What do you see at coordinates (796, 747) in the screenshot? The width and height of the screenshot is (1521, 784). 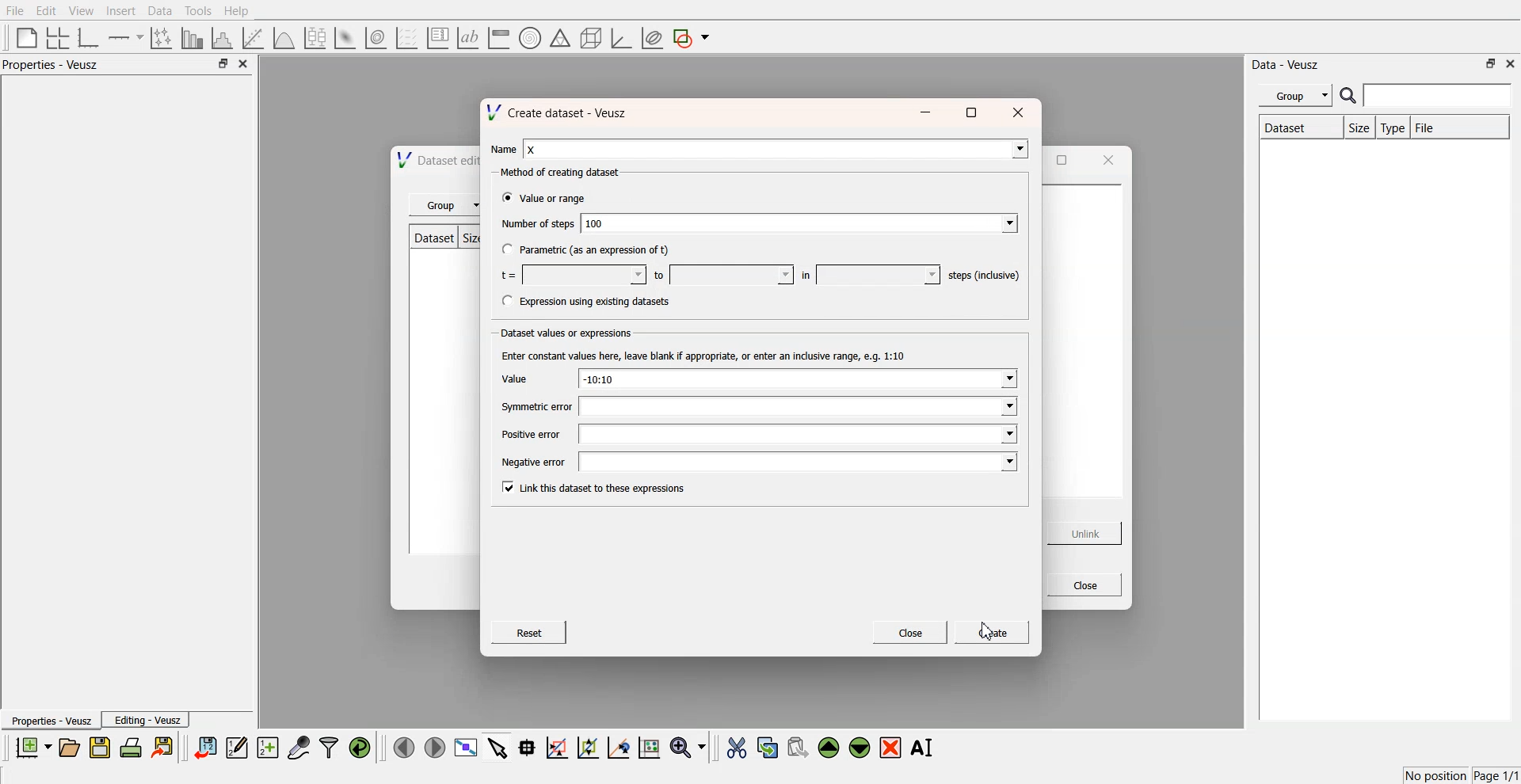 I see `paste the selected widgets` at bounding box center [796, 747].